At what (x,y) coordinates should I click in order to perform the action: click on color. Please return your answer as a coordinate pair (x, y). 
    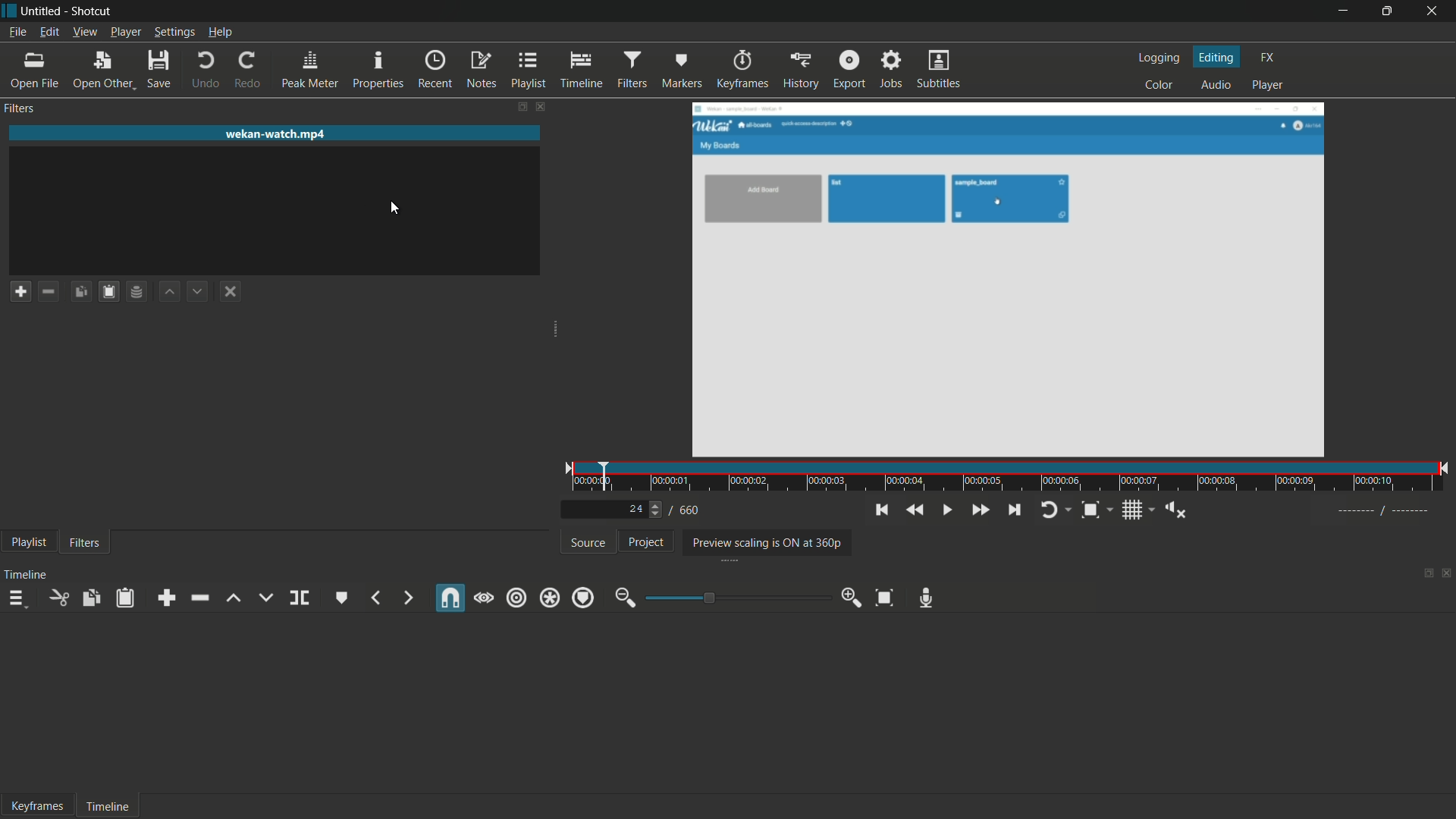
    Looking at the image, I should click on (1159, 86).